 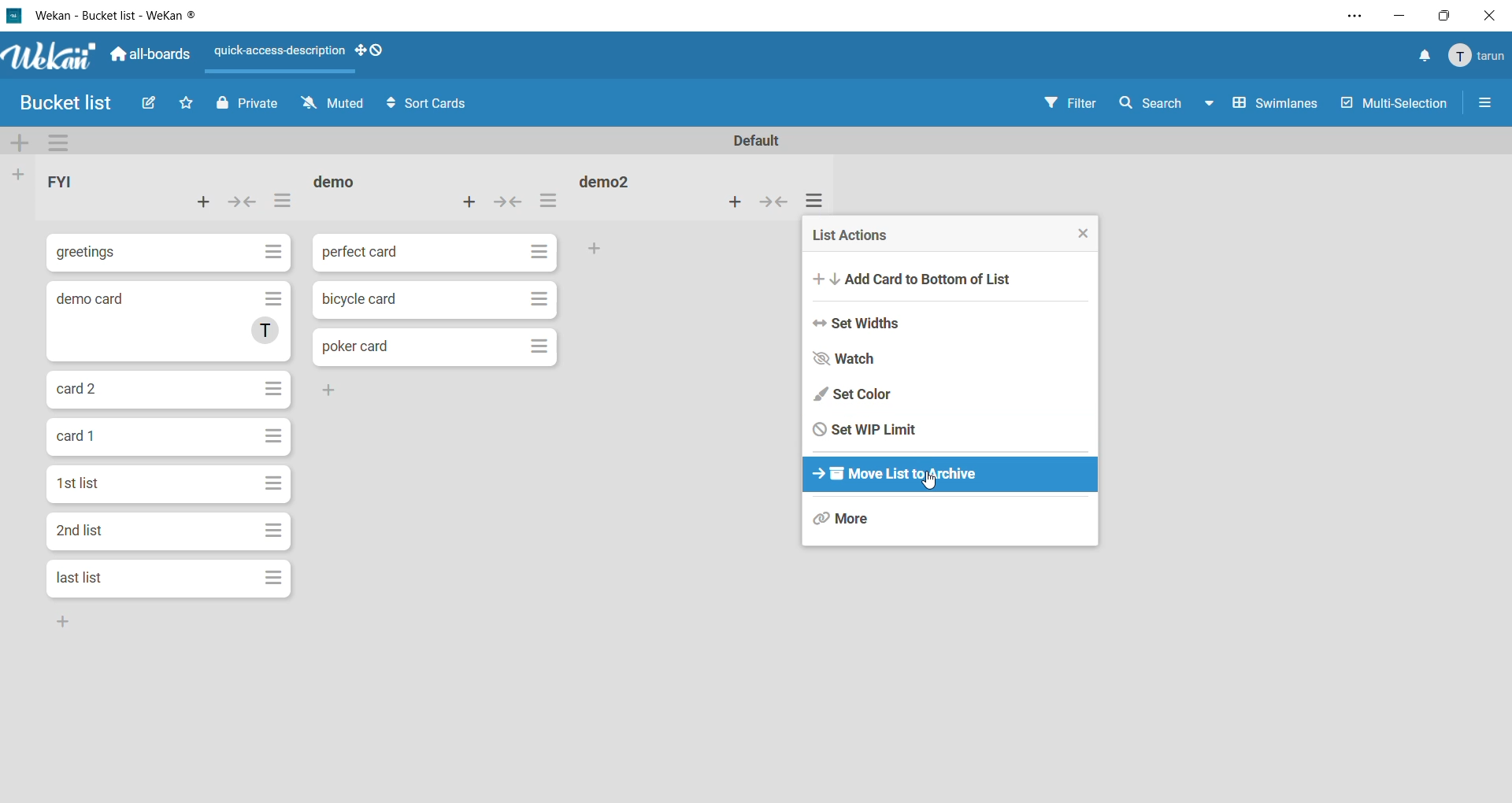 What do you see at coordinates (774, 201) in the screenshot?
I see `collapse` at bounding box center [774, 201].